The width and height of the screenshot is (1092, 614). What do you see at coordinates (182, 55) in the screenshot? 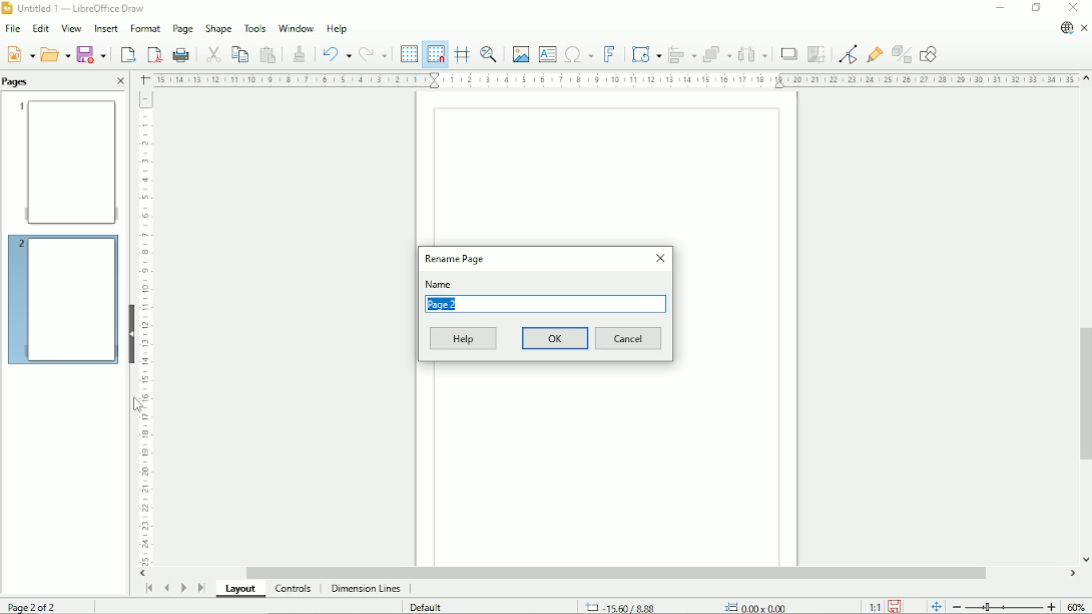
I see `Print` at bounding box center [182, 55].